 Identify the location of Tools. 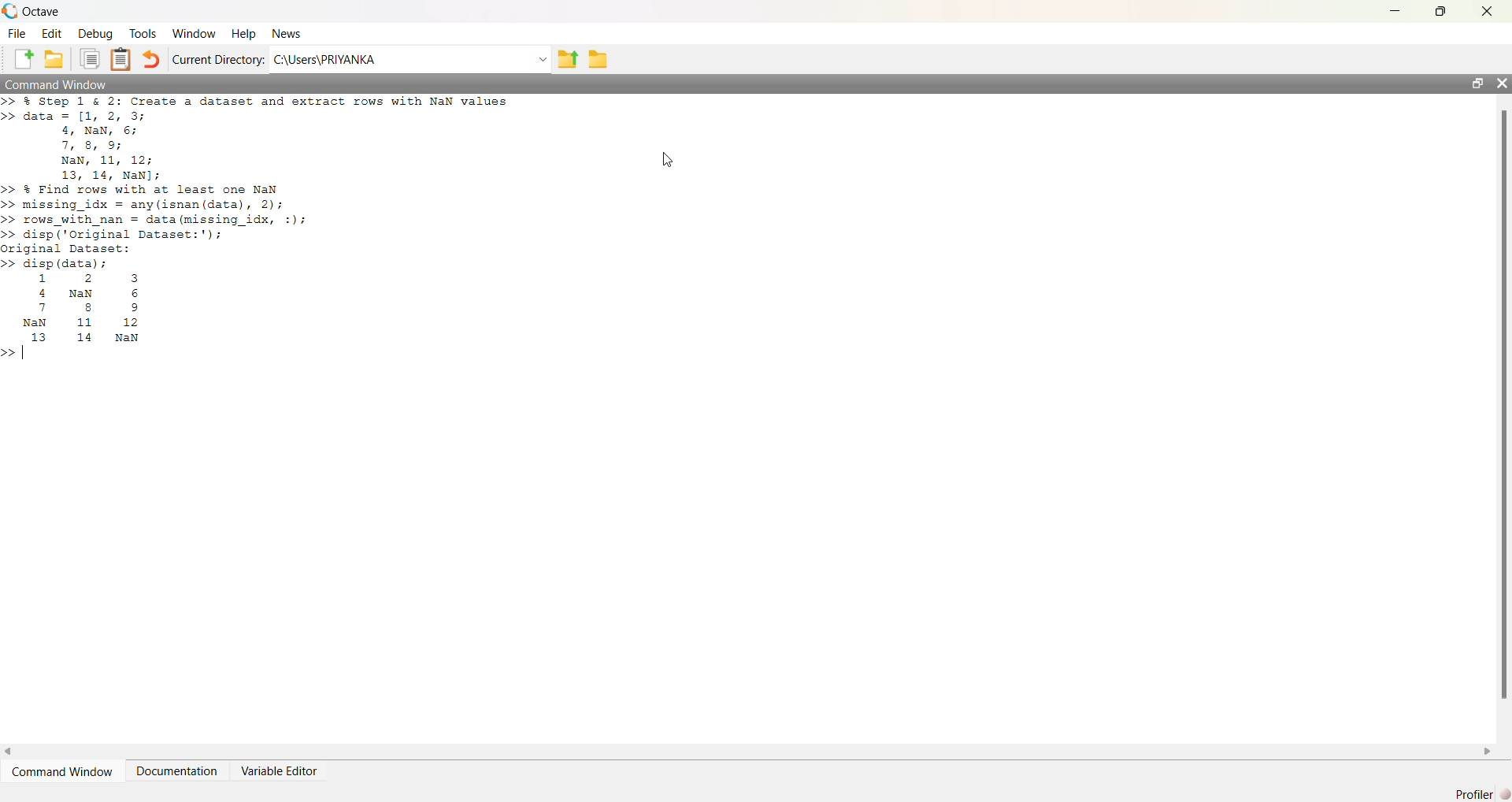
(143, 33).